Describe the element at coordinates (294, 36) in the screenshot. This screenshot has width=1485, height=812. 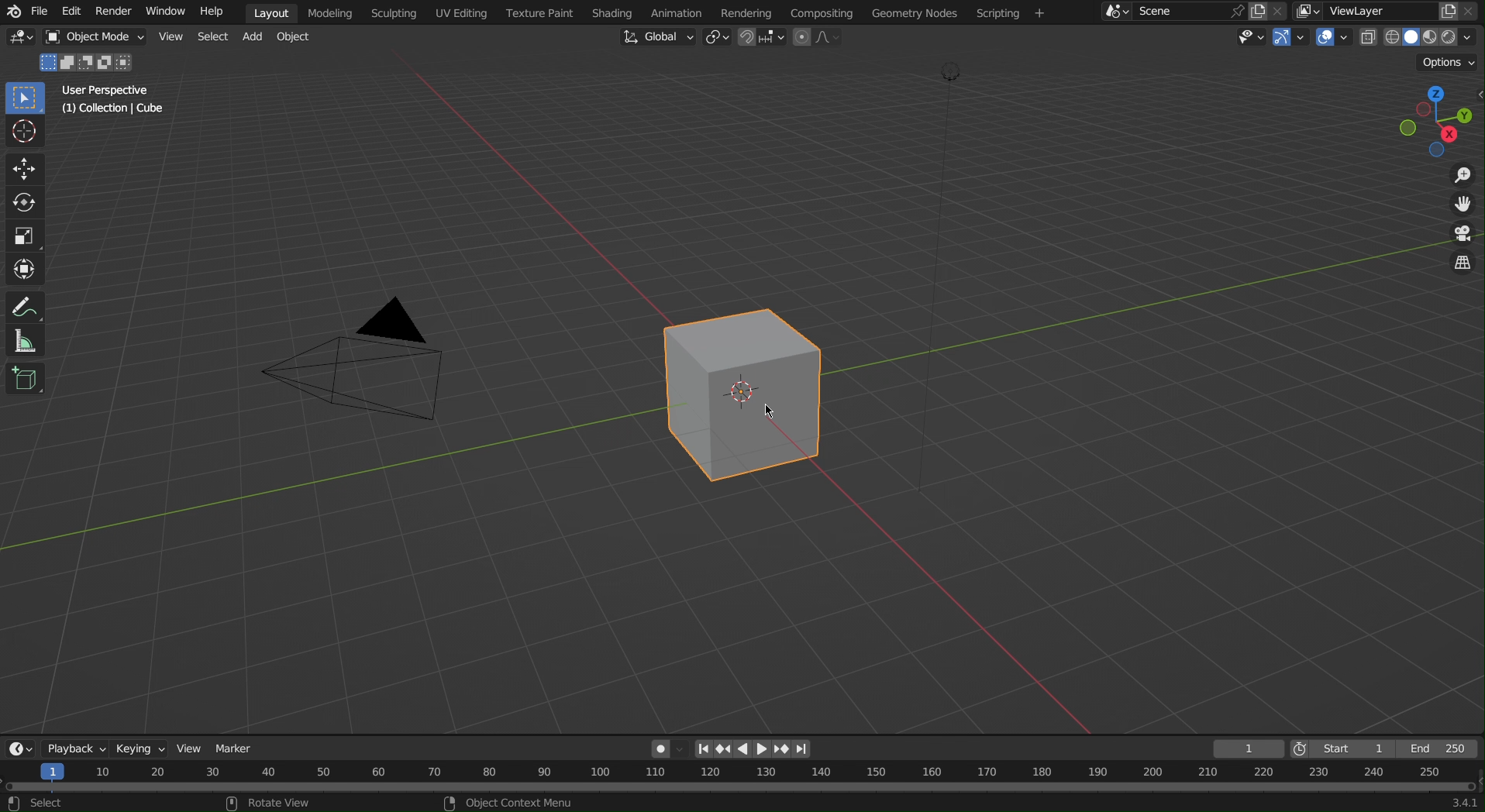
I see `Object` at that location.